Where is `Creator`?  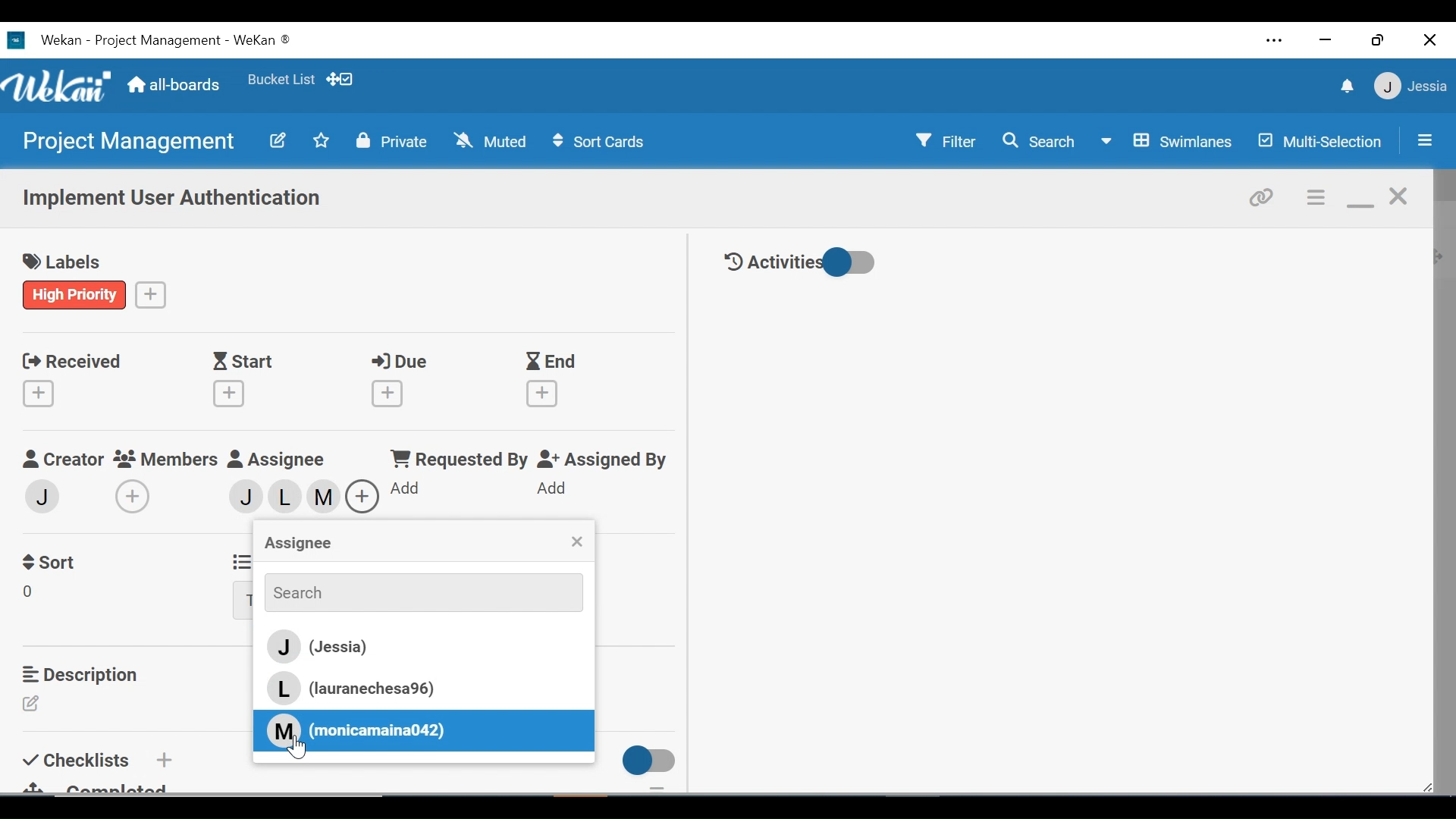
Creator is located at coordinates (62, 460).